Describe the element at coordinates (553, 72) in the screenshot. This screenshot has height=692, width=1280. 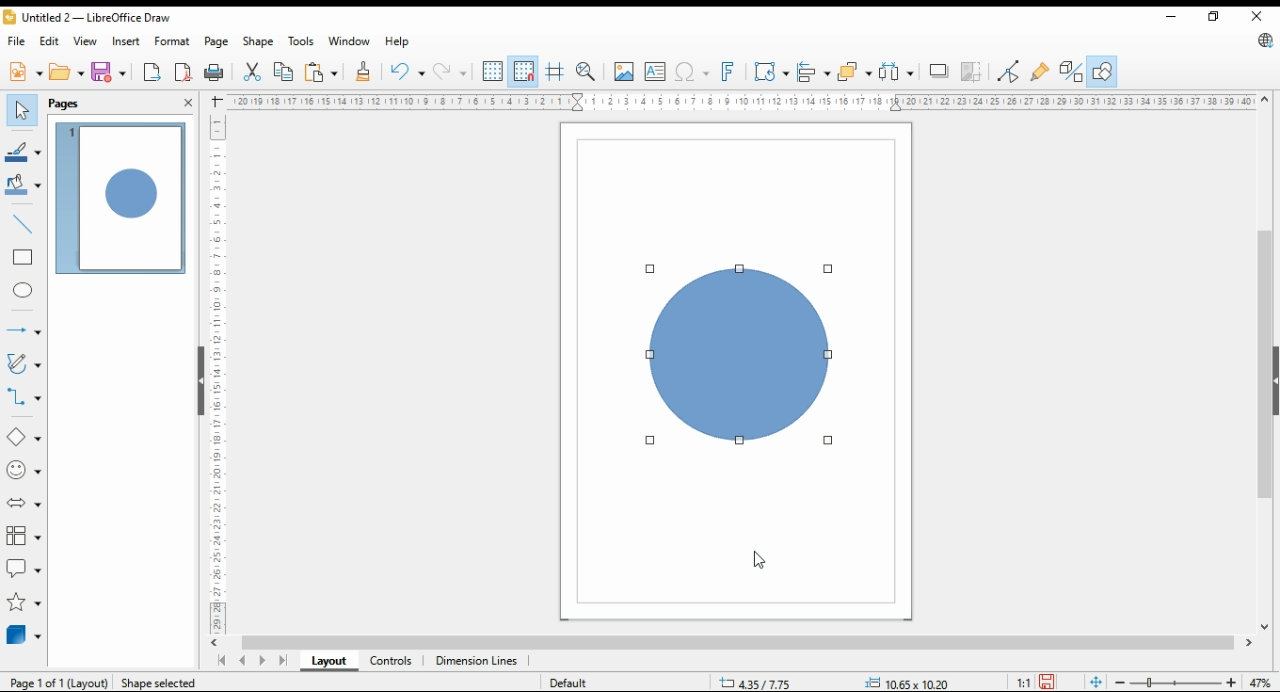
I see `helplines while moving` at that location.